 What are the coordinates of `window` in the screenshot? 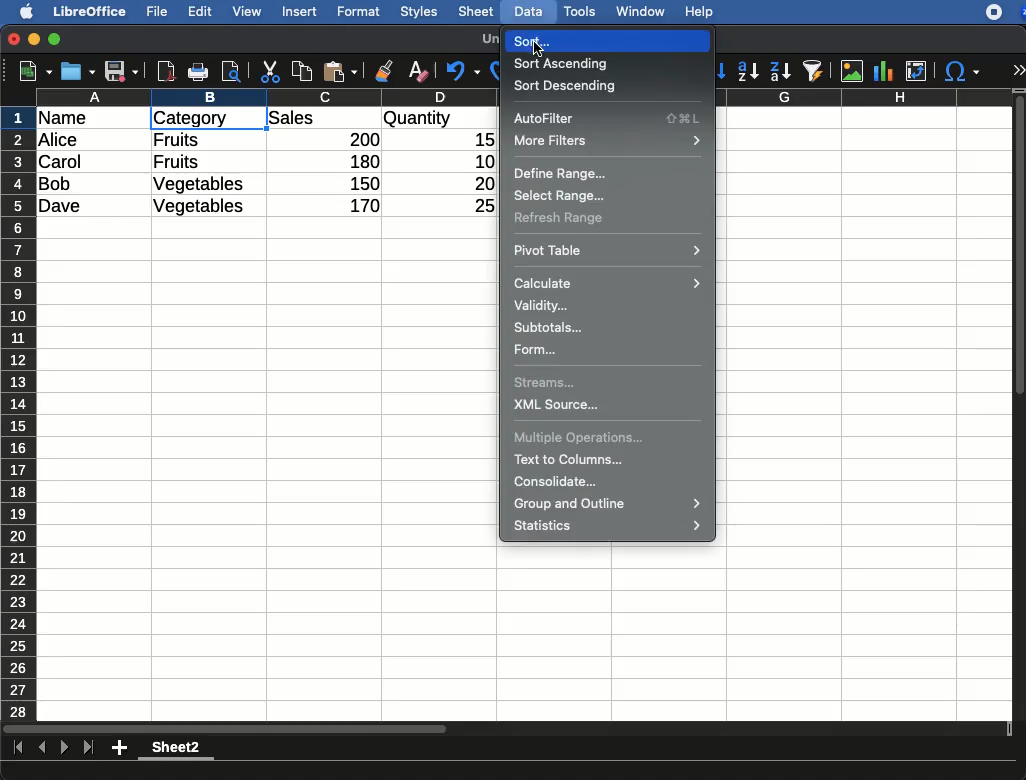 It's located at (638, 11).